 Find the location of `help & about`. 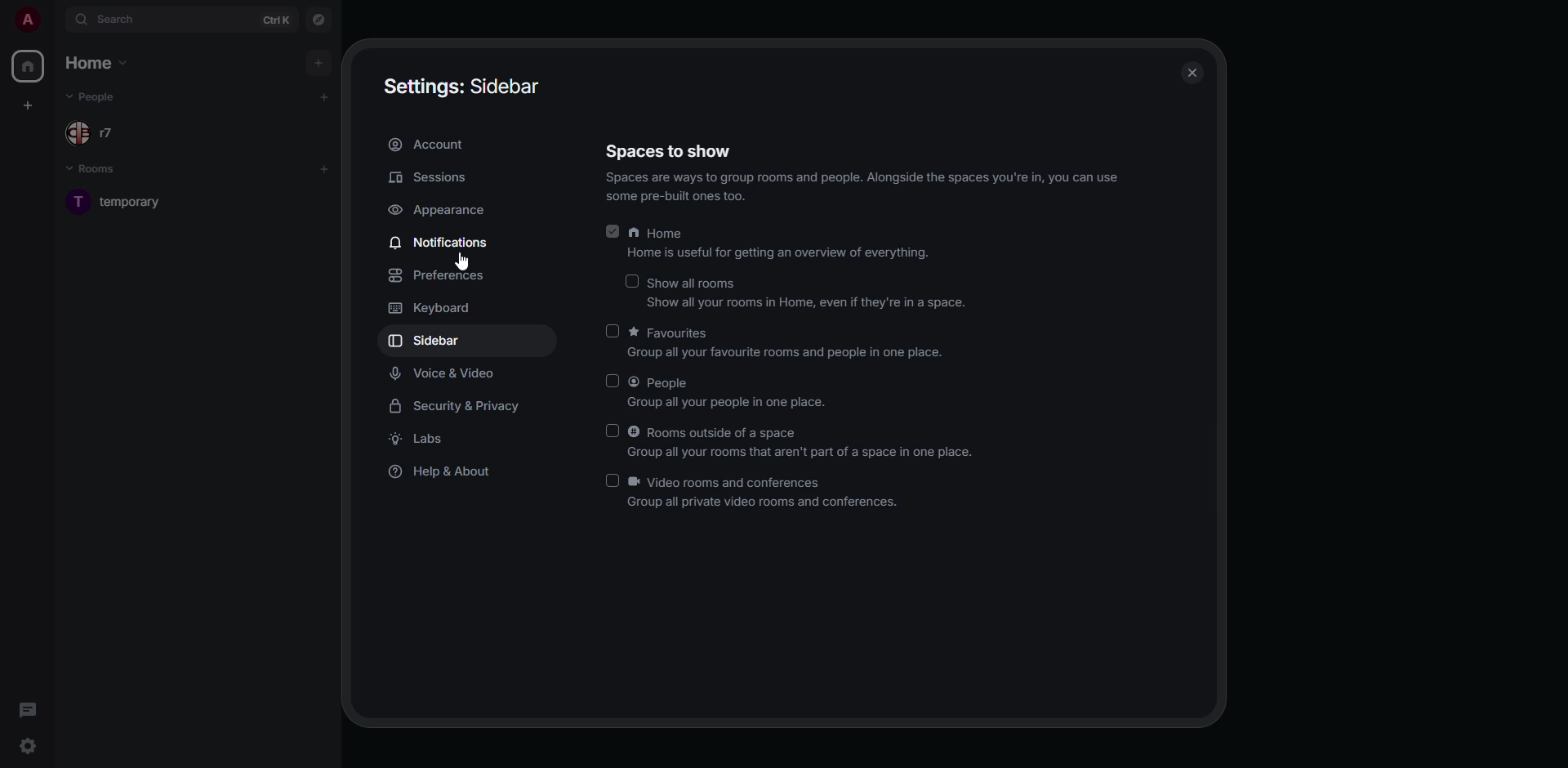

help & about is located at coordinates (446, 471).